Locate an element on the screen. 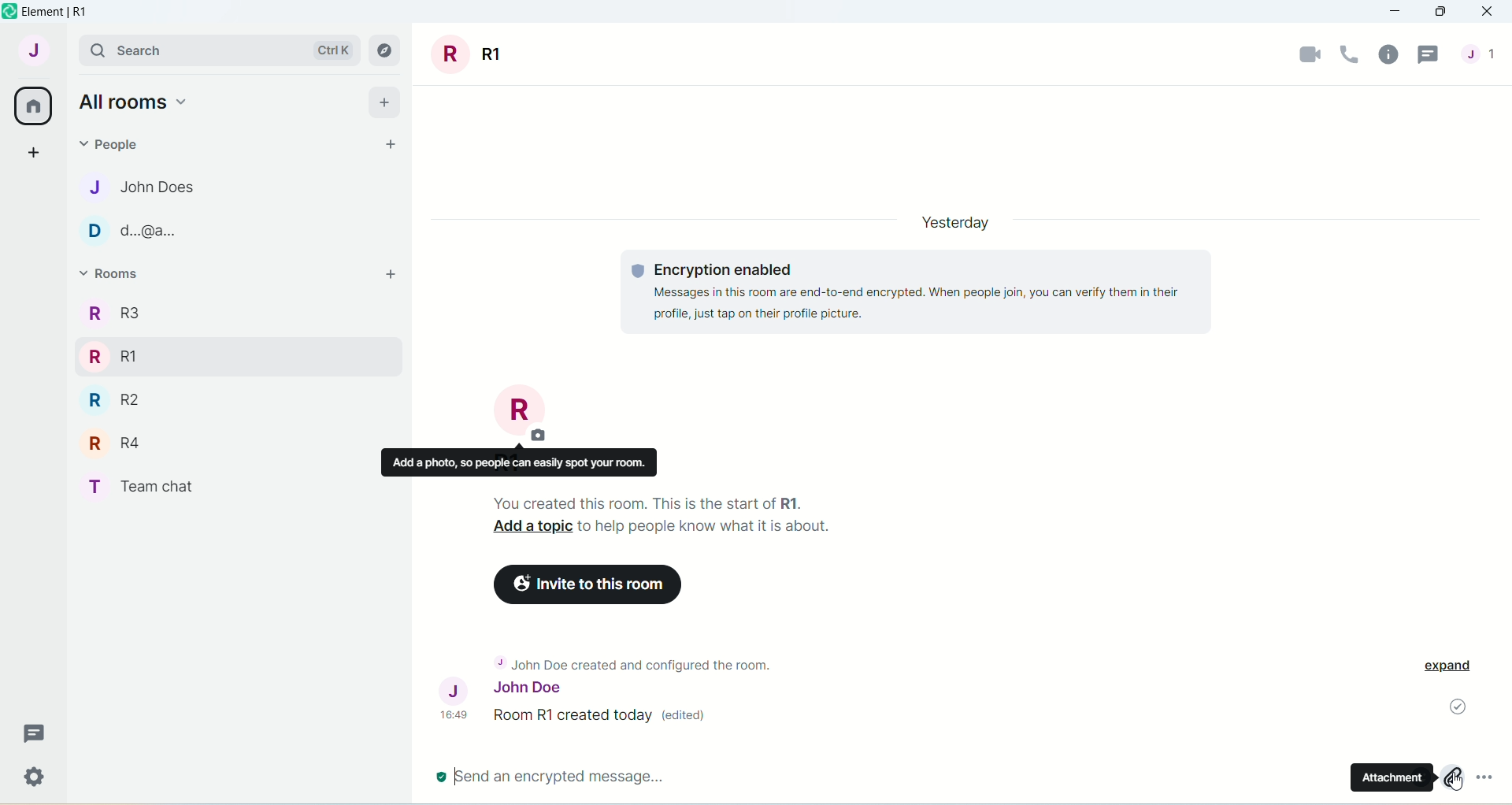 The width and height of the screenshot is (1512, 805). add is located at coordinates (391, 275).